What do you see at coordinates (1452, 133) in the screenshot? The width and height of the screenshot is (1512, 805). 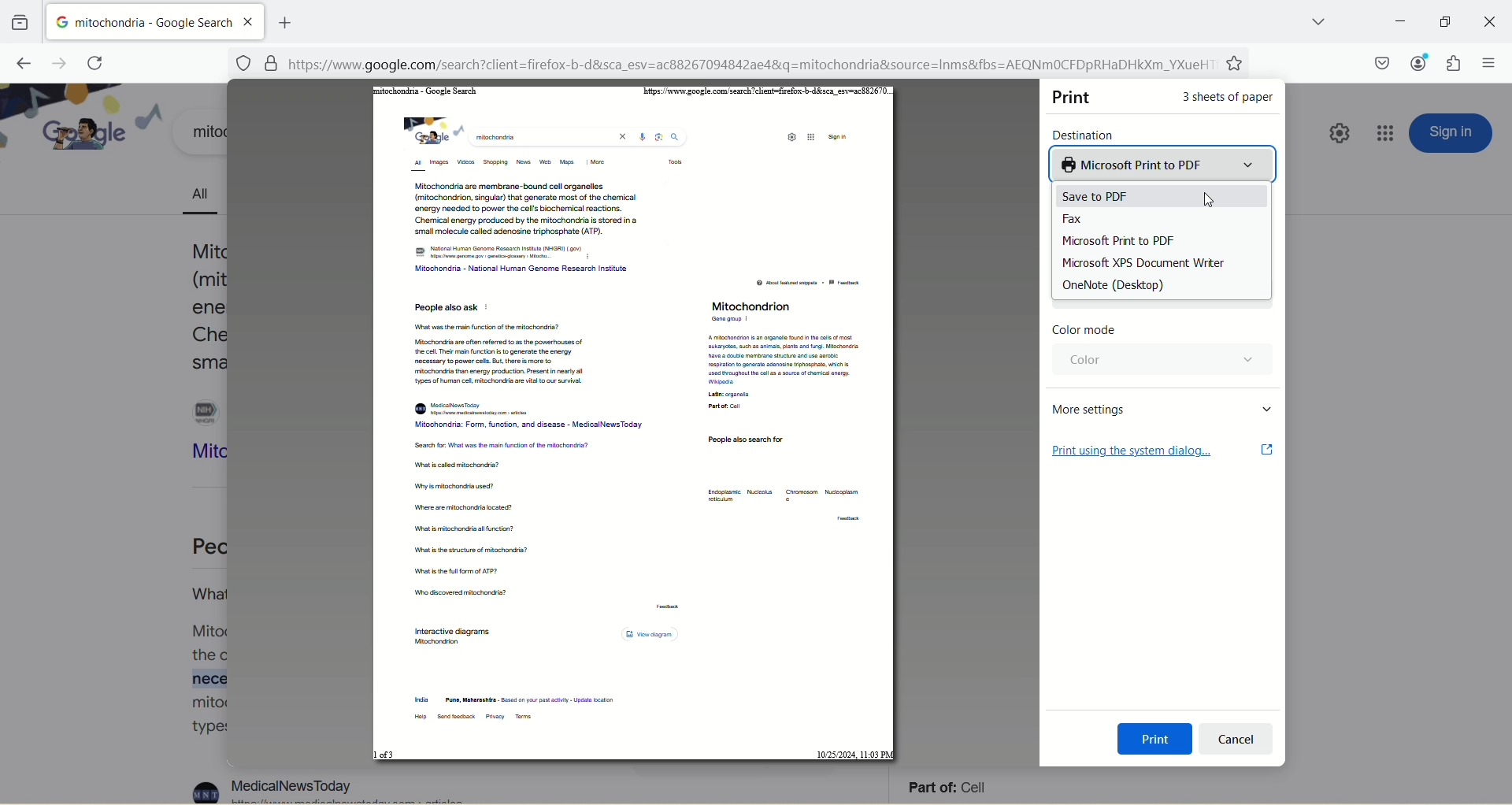 I see `sign in` at bounding box center [1452, 133].